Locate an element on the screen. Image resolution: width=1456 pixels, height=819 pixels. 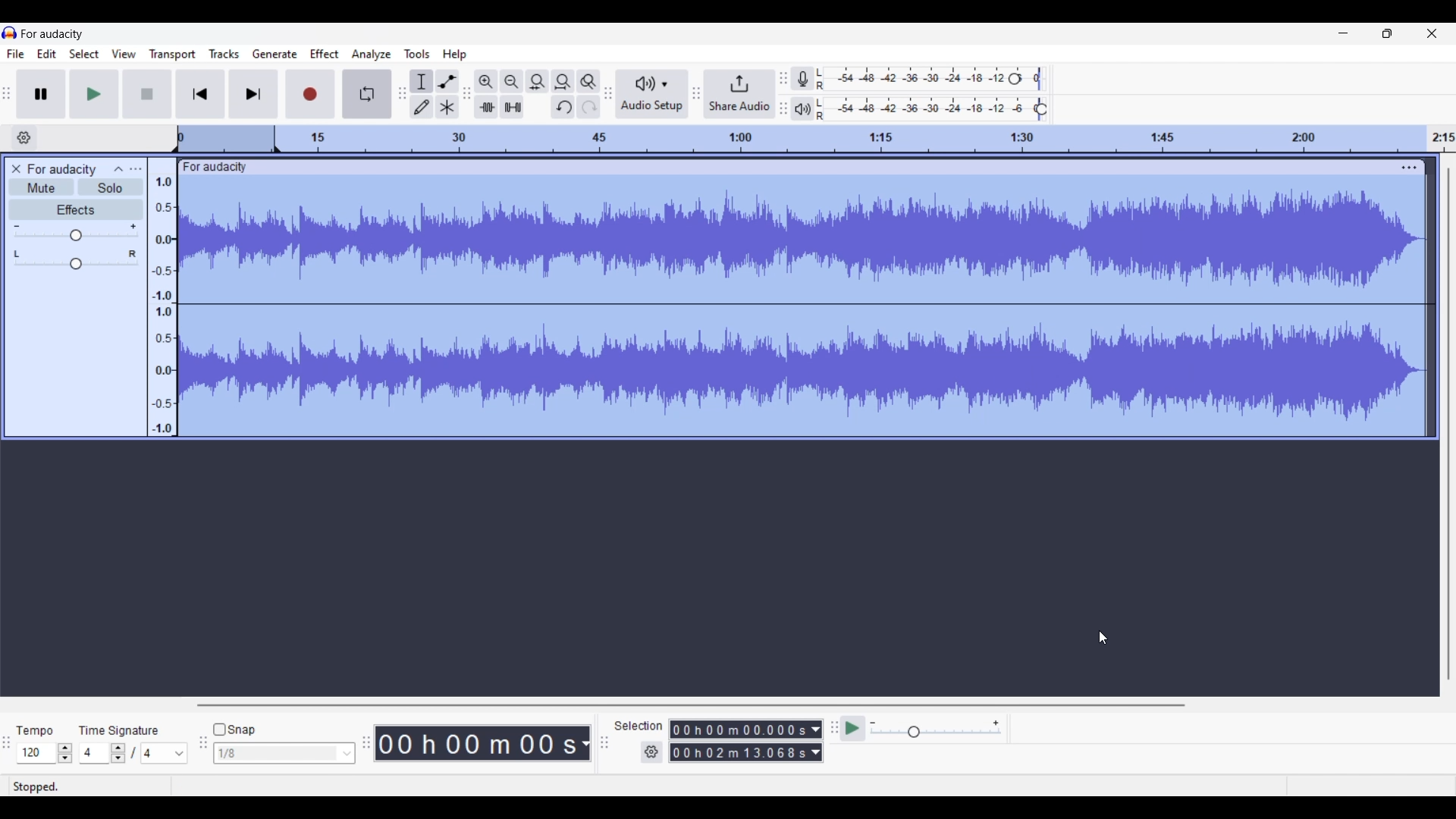
Recording level header is located at coordinates (1015, 79).